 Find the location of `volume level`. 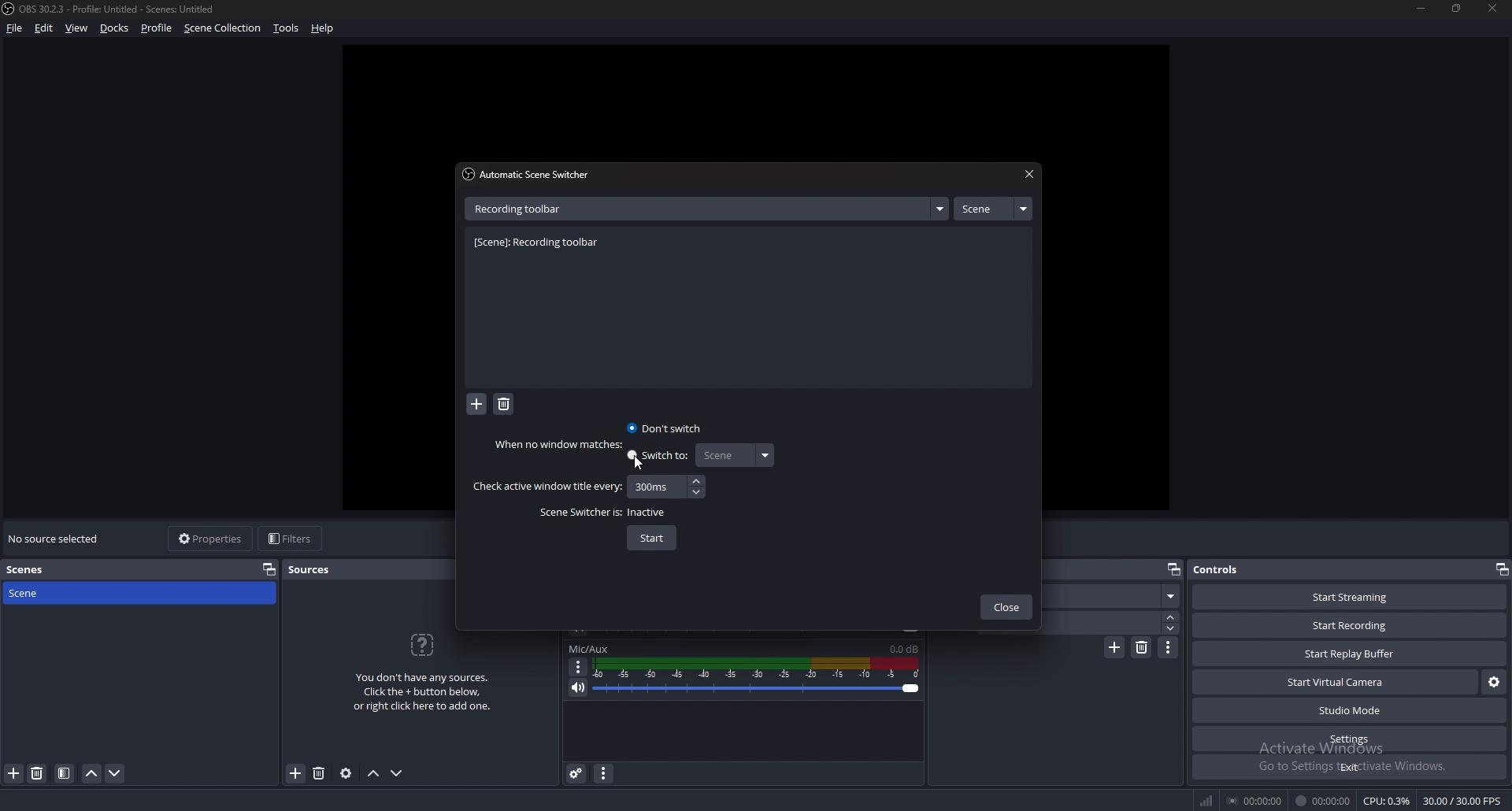

volume level is located at coordinates (904, 649).